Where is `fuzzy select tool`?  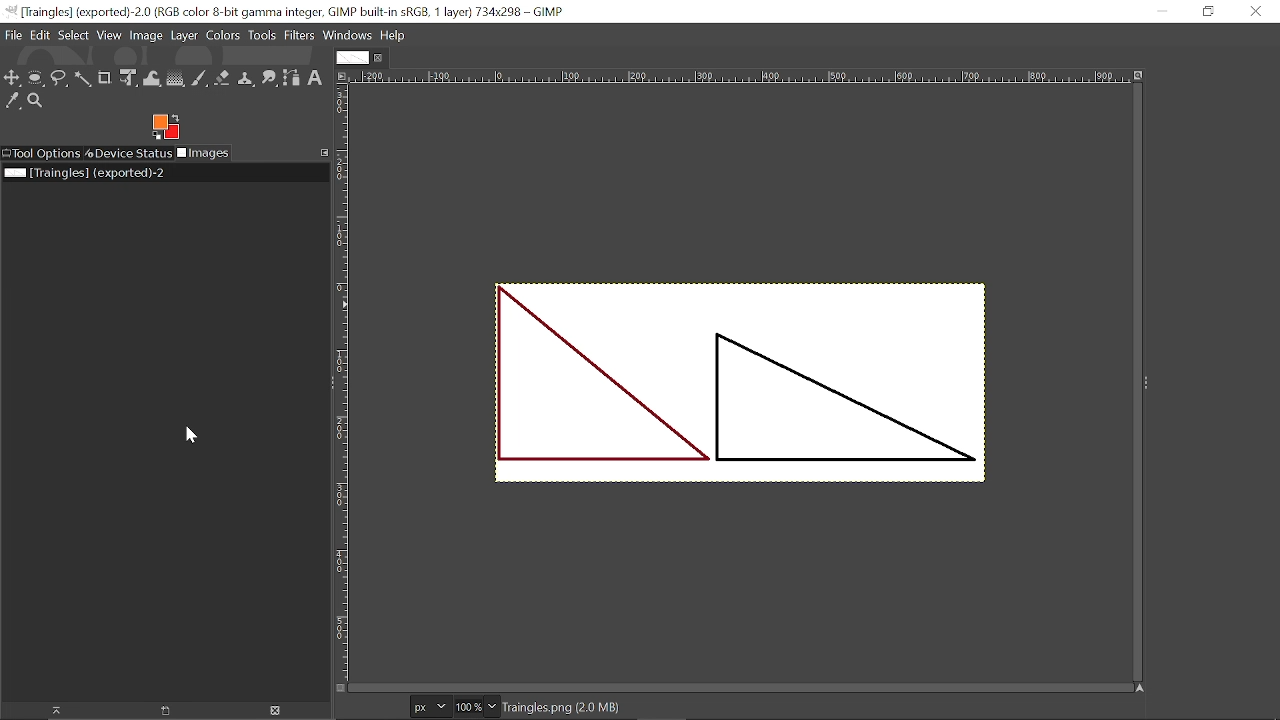
fuzzy select tool is located at coordinates (83, 79).